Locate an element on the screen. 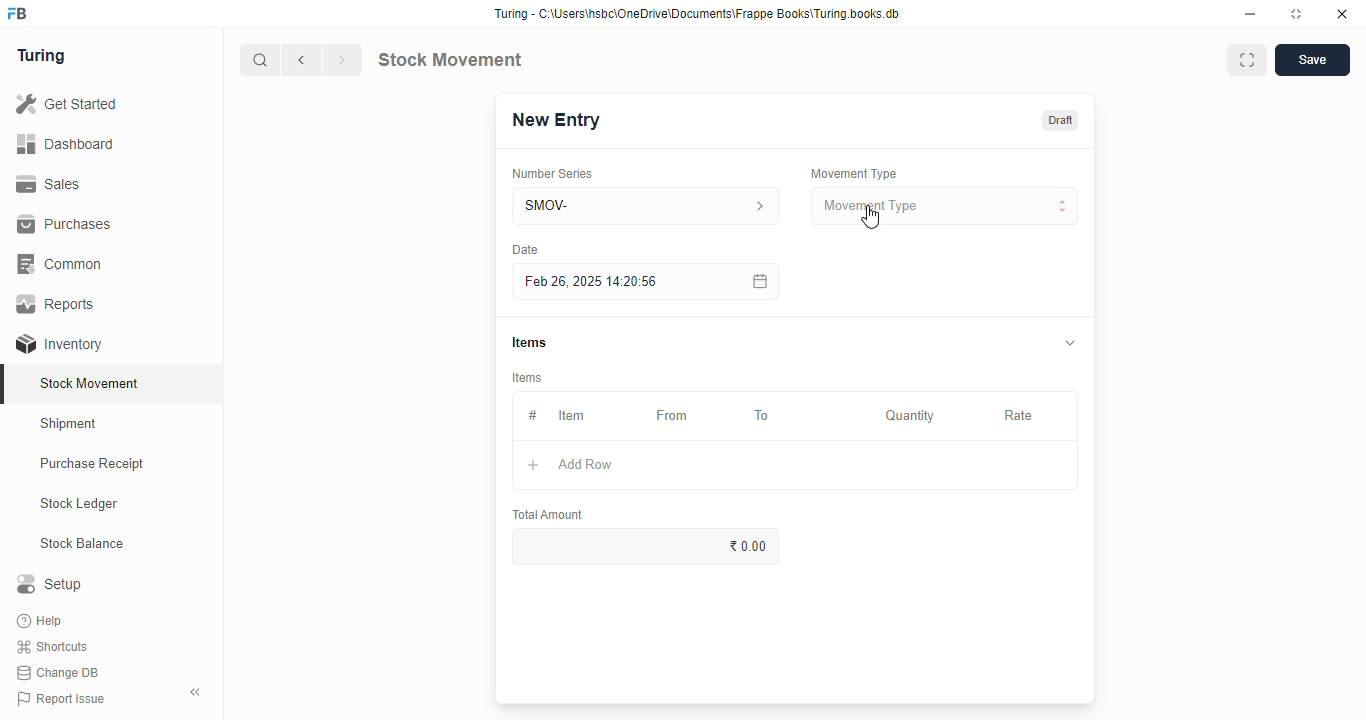 This screenshot has height=720, width=1366. stock movement is located at coordinates (449, 59).